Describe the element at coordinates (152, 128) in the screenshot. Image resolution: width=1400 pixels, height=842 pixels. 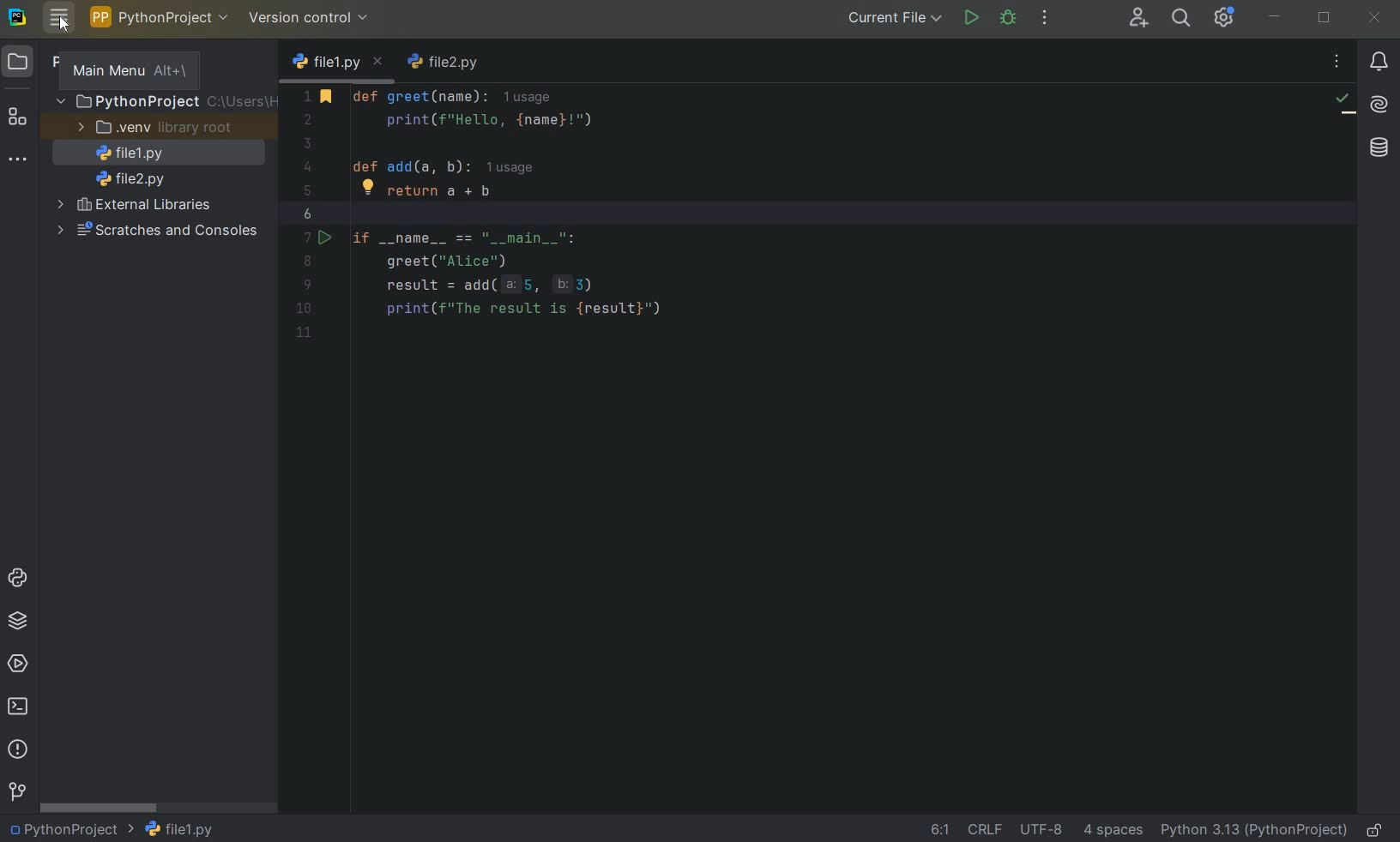
I see `.venv` at that location.